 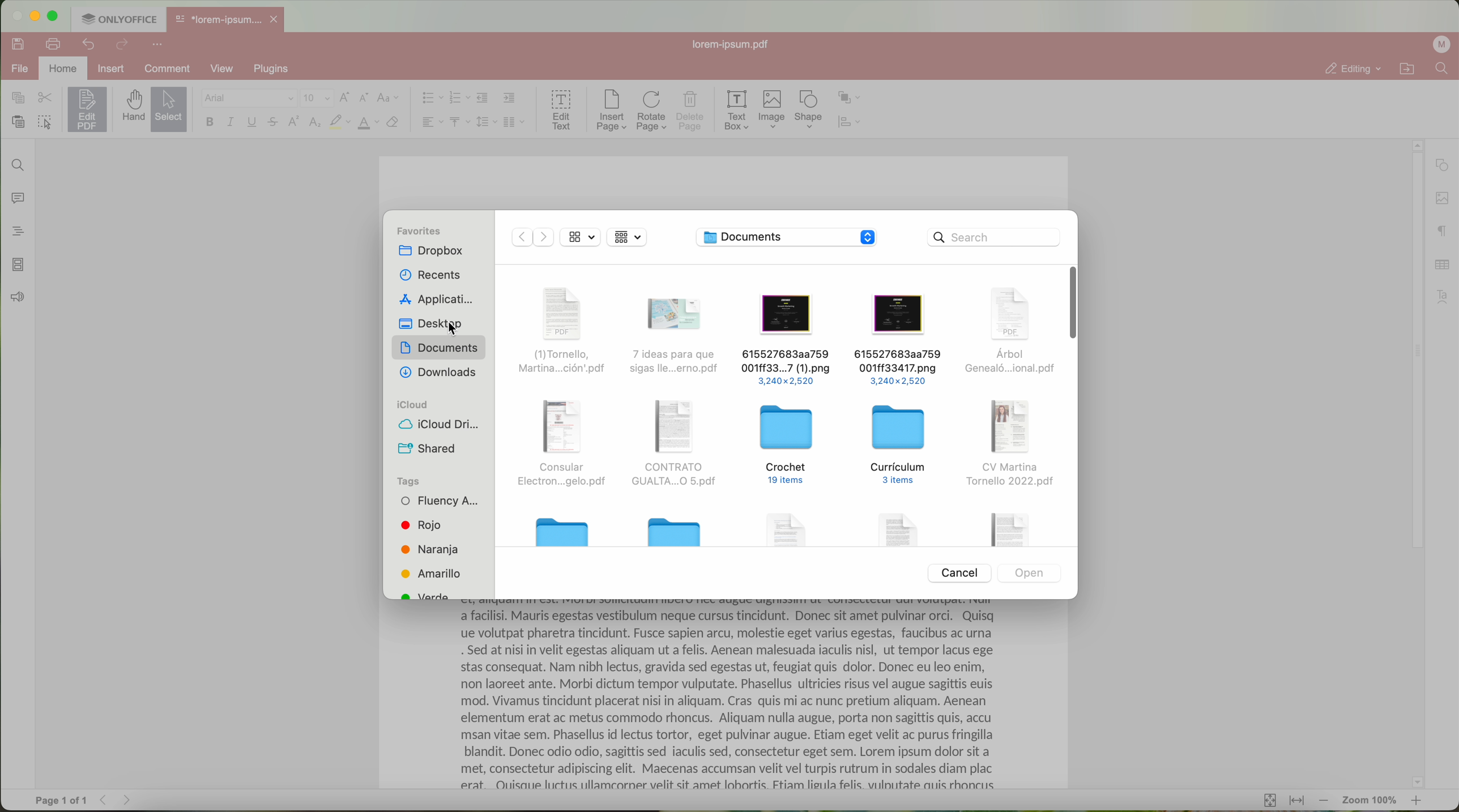 What do you see at coordinates (160, 43) in the screenshot?
I see `more options` at bounding box center [160, 43].